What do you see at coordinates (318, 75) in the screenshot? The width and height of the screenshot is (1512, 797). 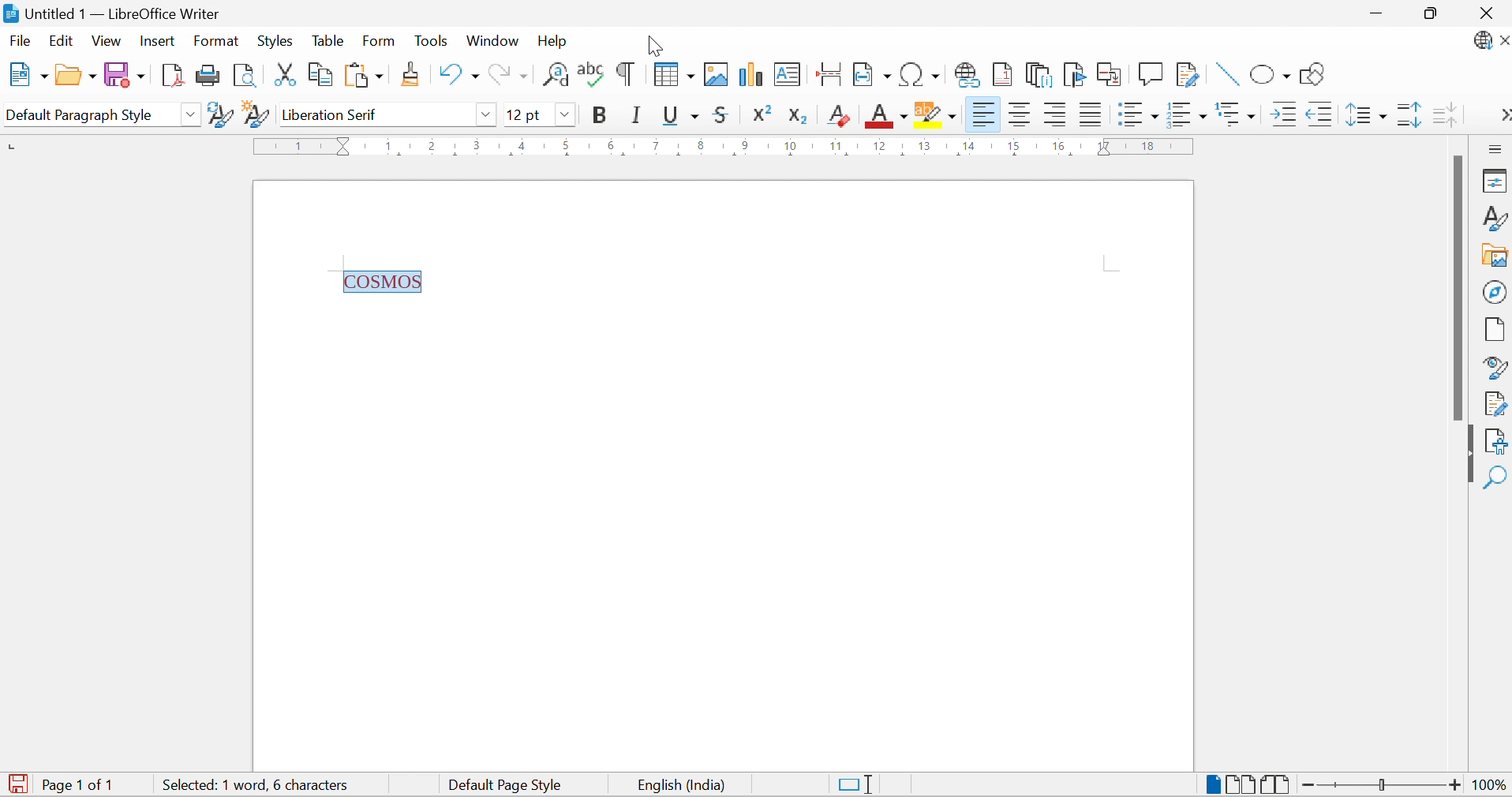 I see `Copy` at bounding box center [318, 75].